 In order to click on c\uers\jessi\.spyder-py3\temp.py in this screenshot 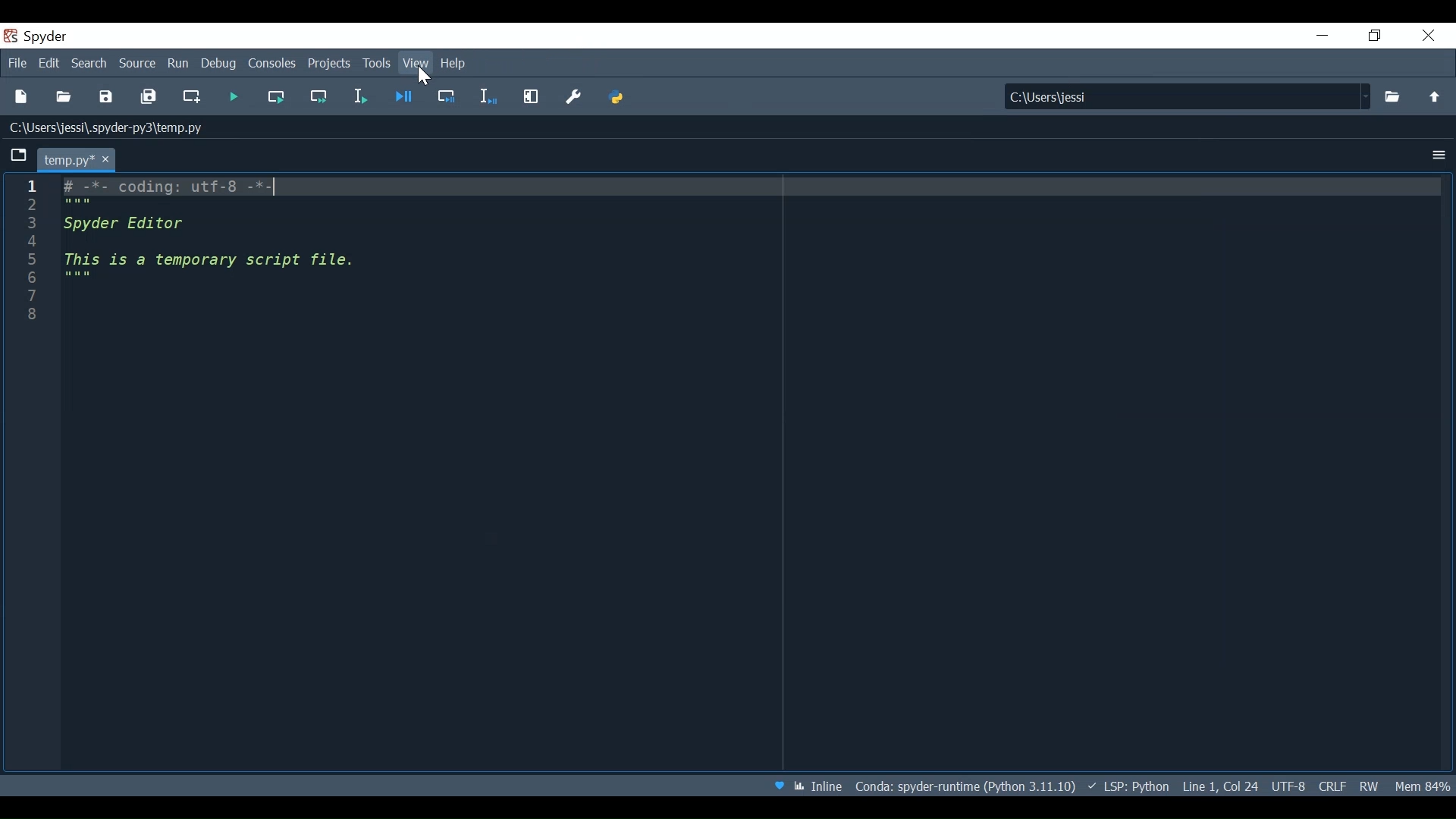, I will do `click(115, 131)`.